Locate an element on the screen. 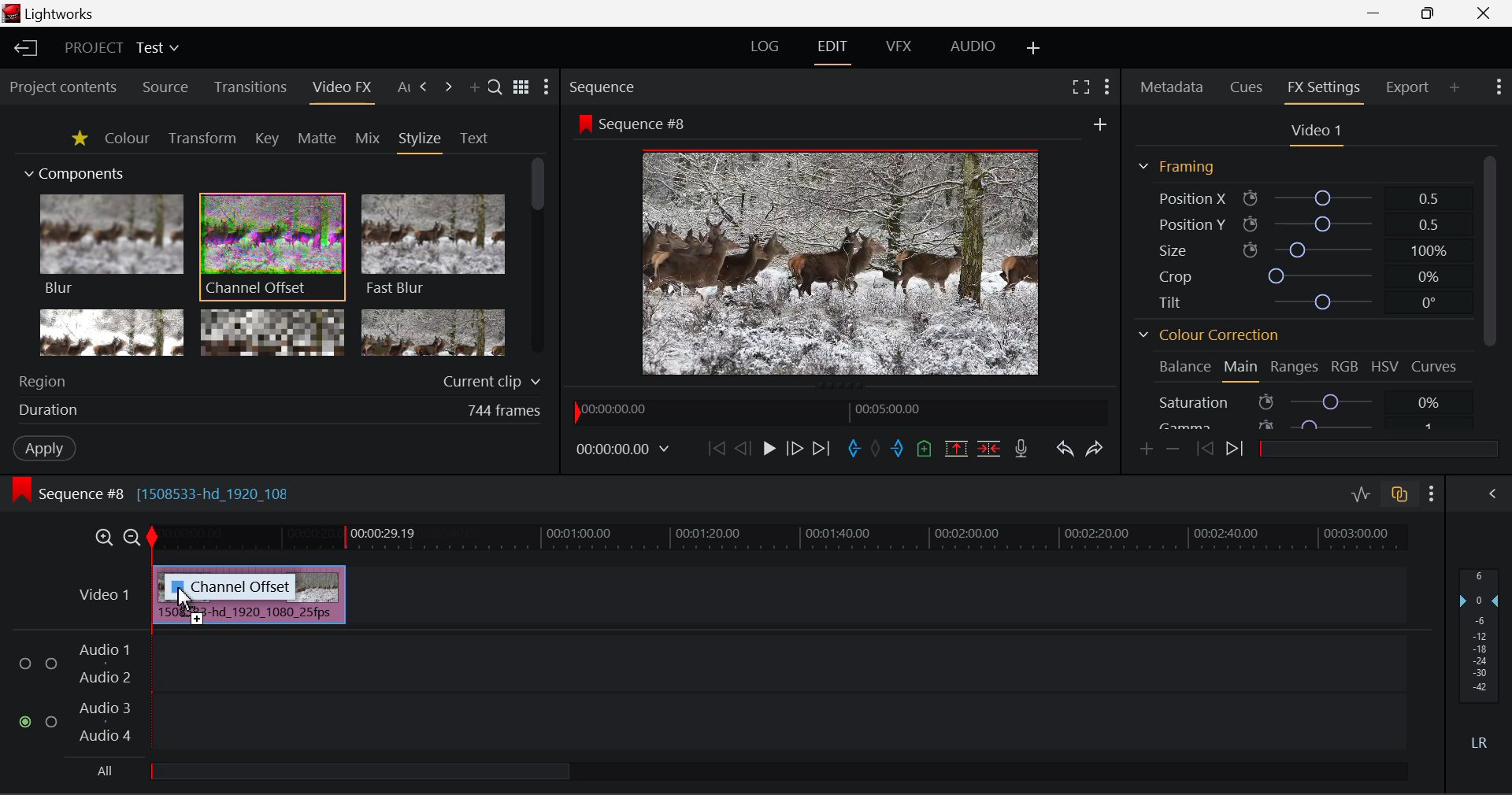 The image size is (1512, 795). Main Tab Open is located at coordinates (1240, 369).